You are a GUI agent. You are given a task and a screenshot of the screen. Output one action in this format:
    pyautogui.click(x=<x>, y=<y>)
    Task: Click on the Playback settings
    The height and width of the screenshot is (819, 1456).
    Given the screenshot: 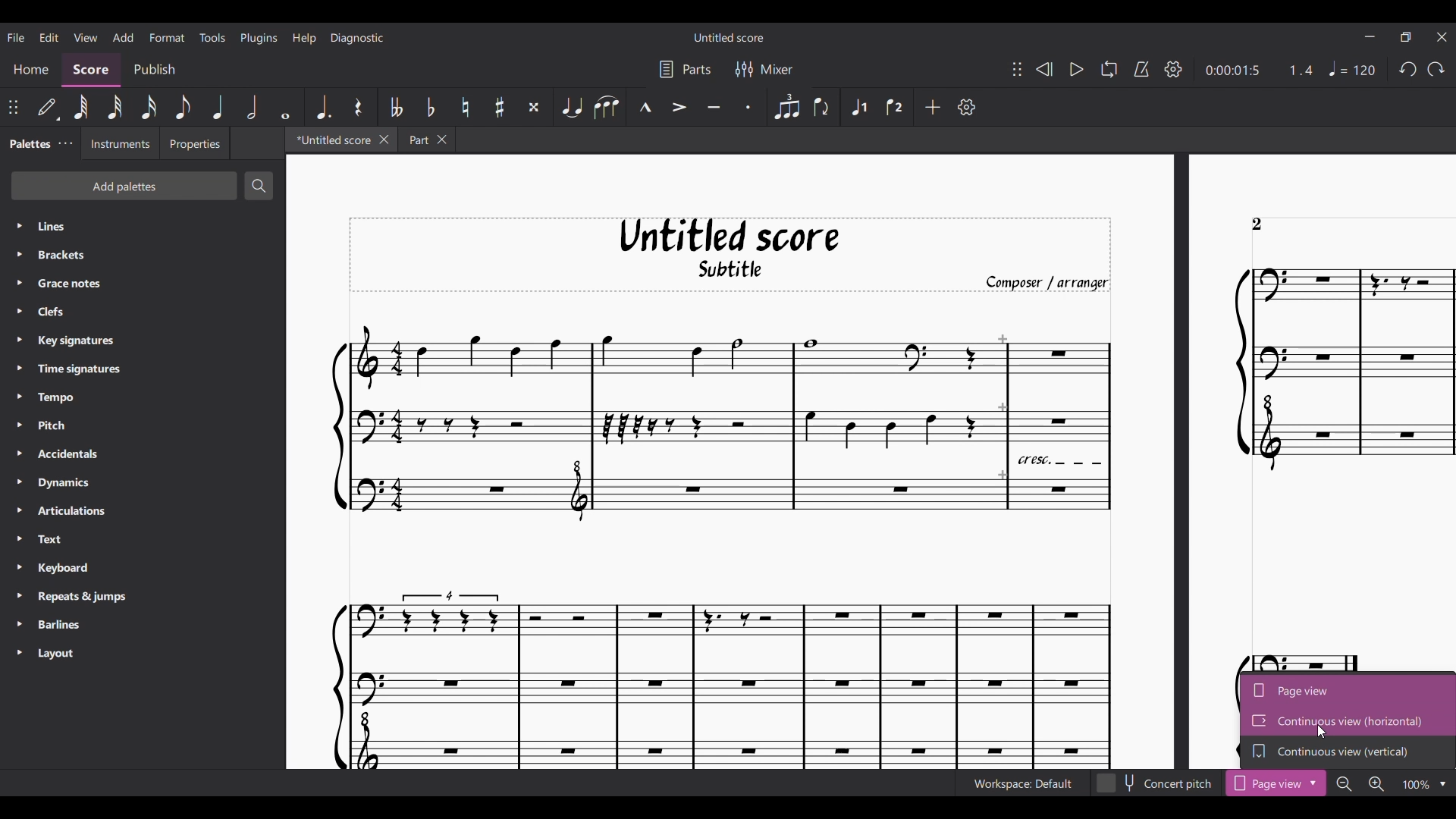 What is the action you would take?
    pyautogui.click(x=1173, y=69)
    